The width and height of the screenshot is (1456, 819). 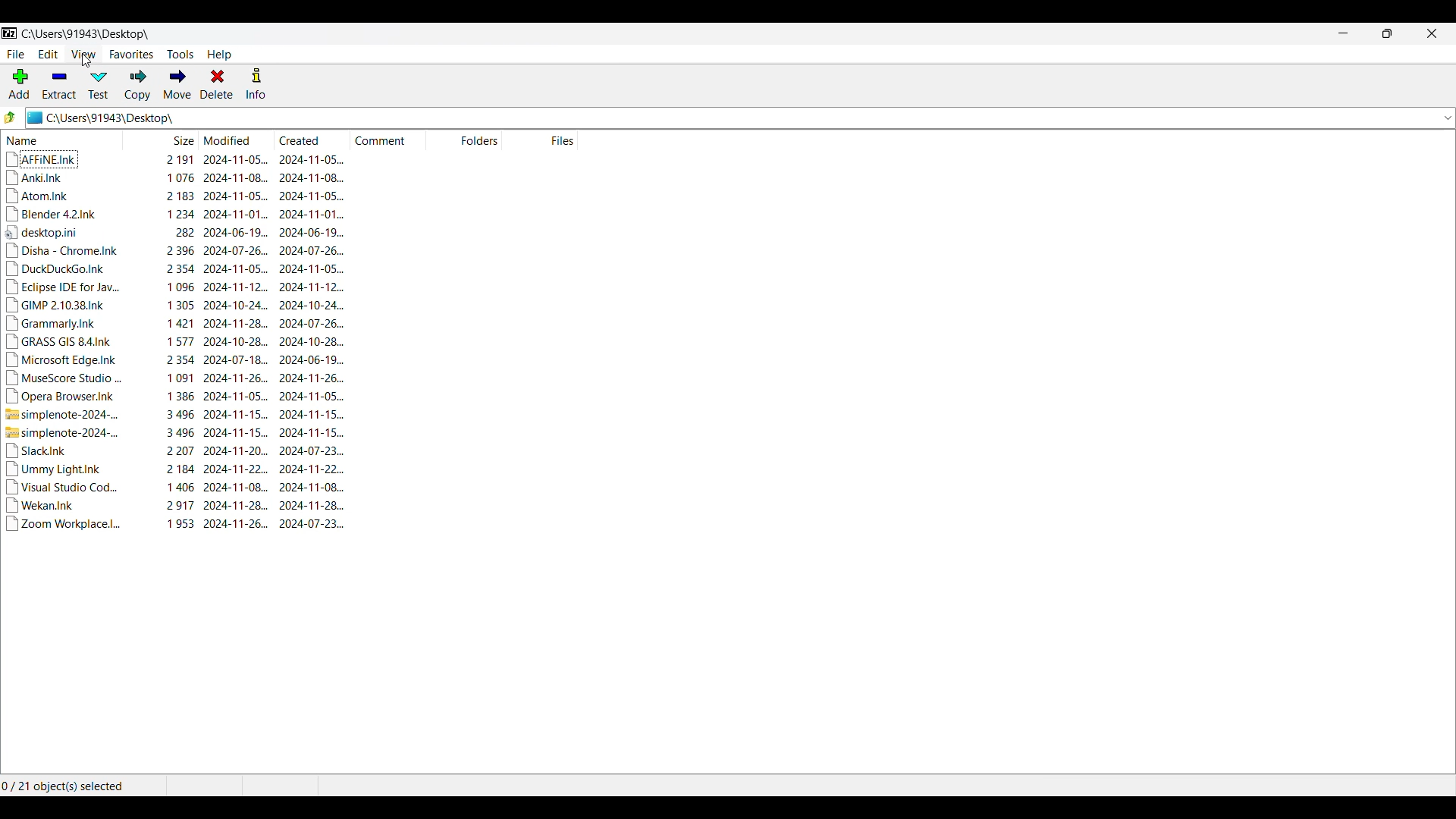 What do you see at coordinates (180, 55) in the screenshot?
I see `Tools` at bounding box center [180, 55].